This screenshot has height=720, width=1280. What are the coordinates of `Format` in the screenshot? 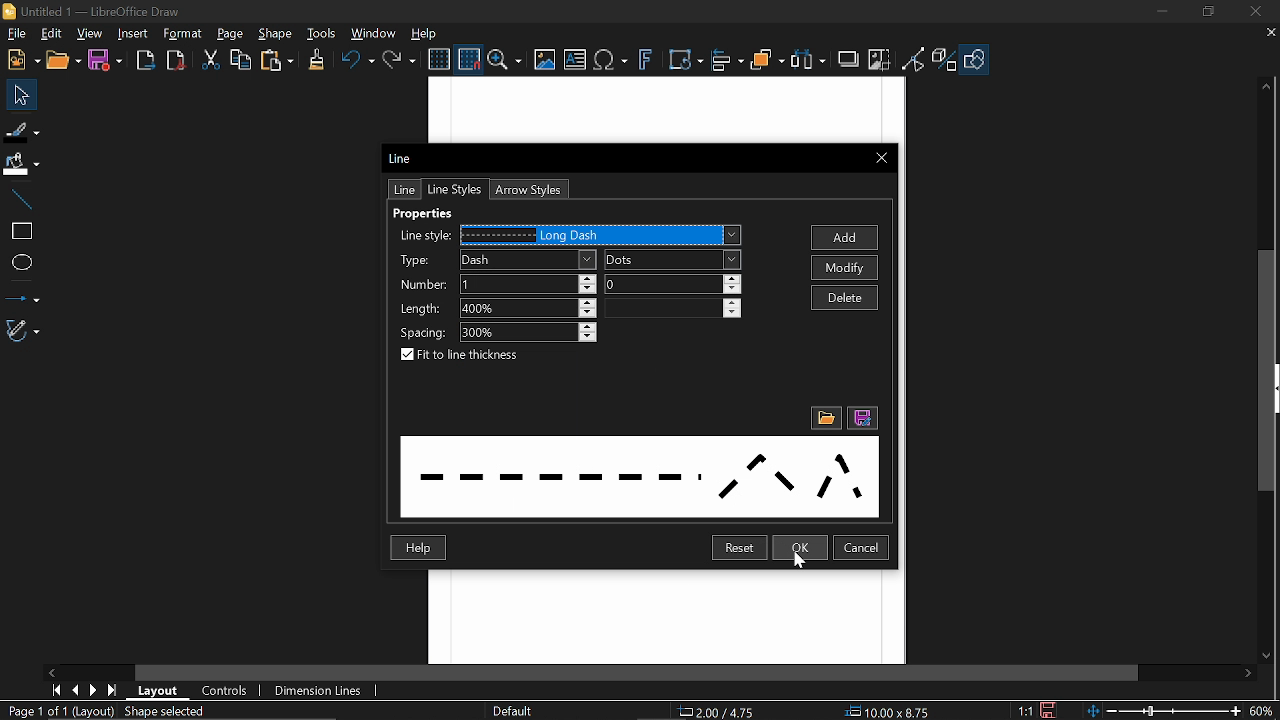 It's located at (183, 34).